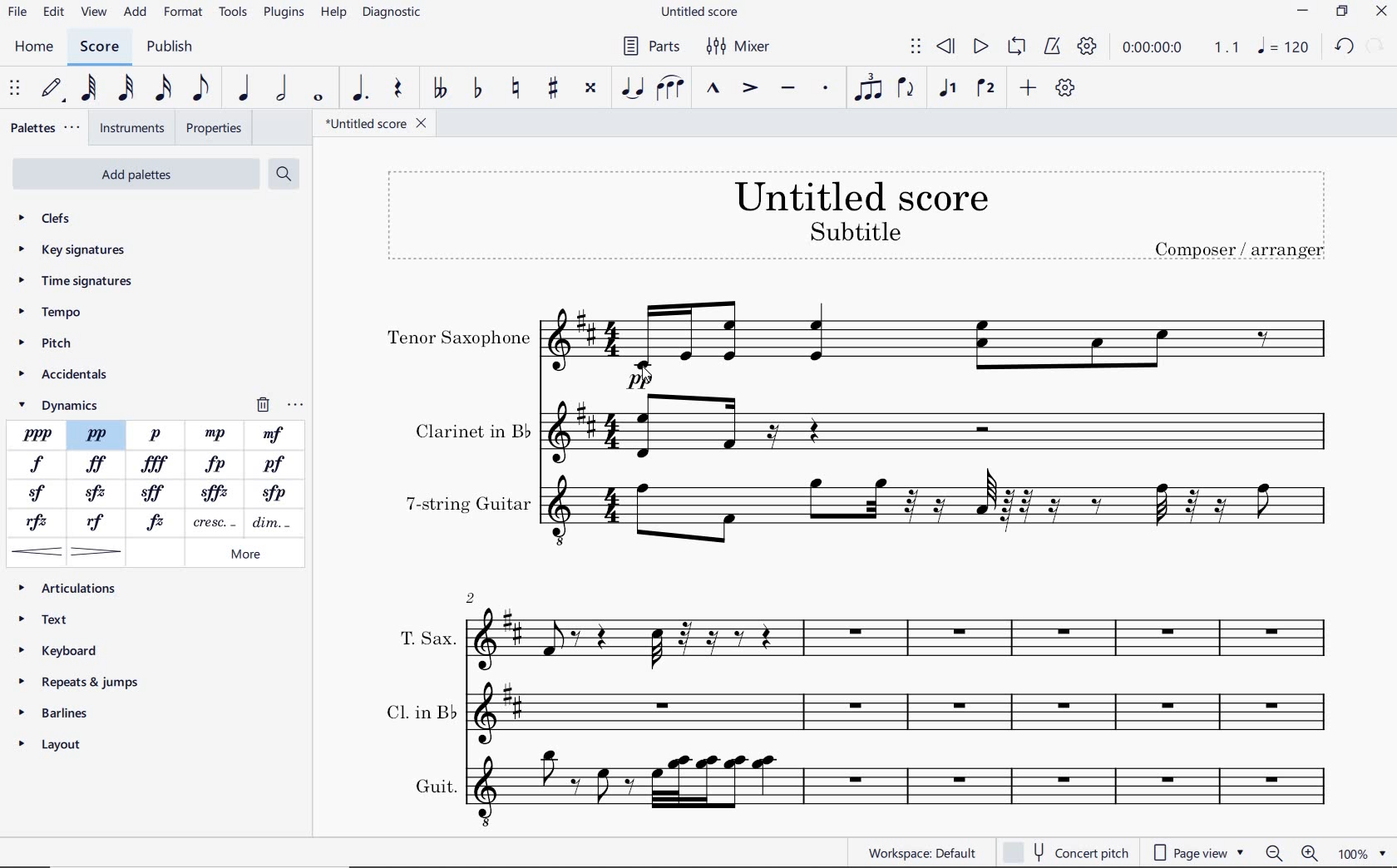 This screenshot has height=868, width=1397. I want to click on PPP (pianississimo), so click(37, 434).